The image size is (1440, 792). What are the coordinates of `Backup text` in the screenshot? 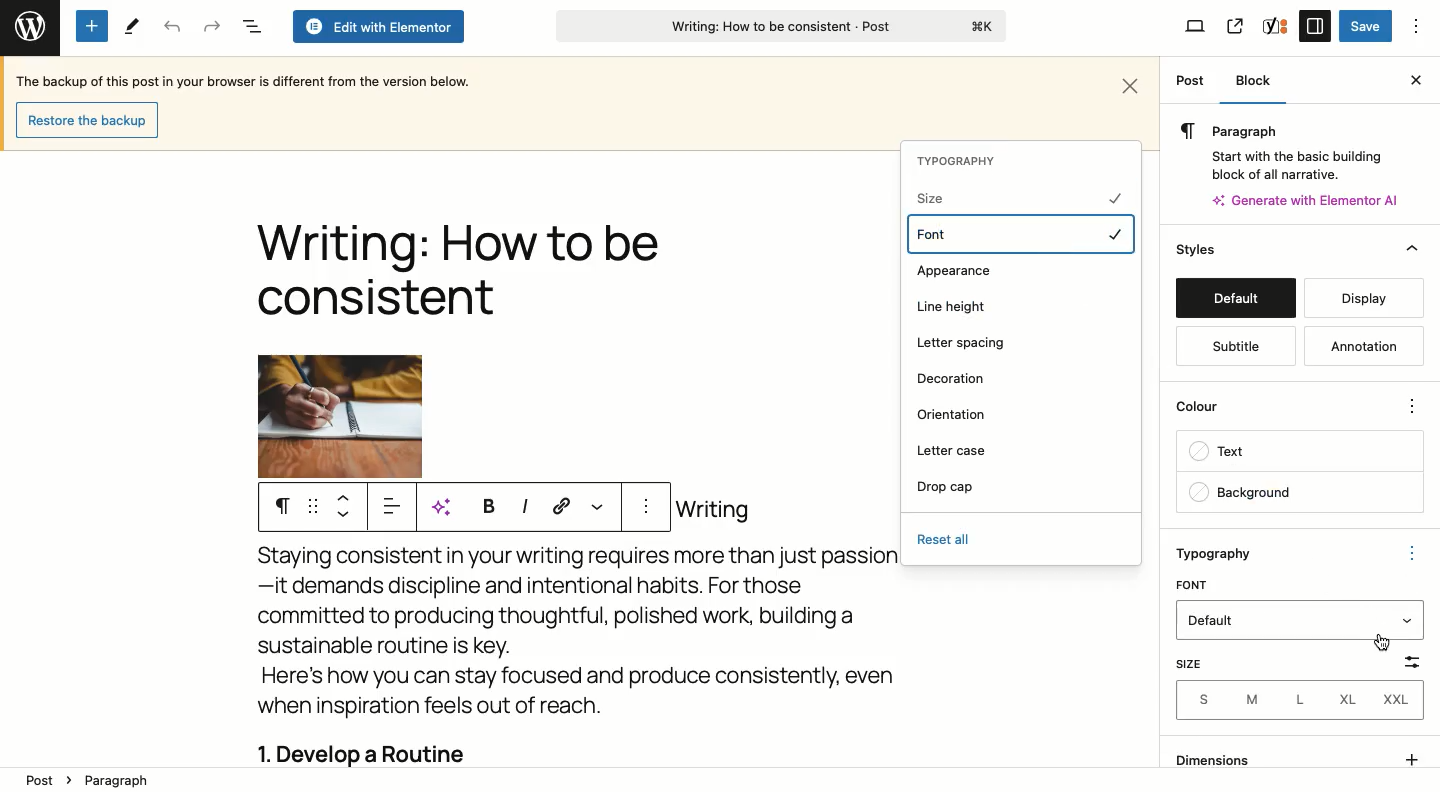 It's located at (247, 80).